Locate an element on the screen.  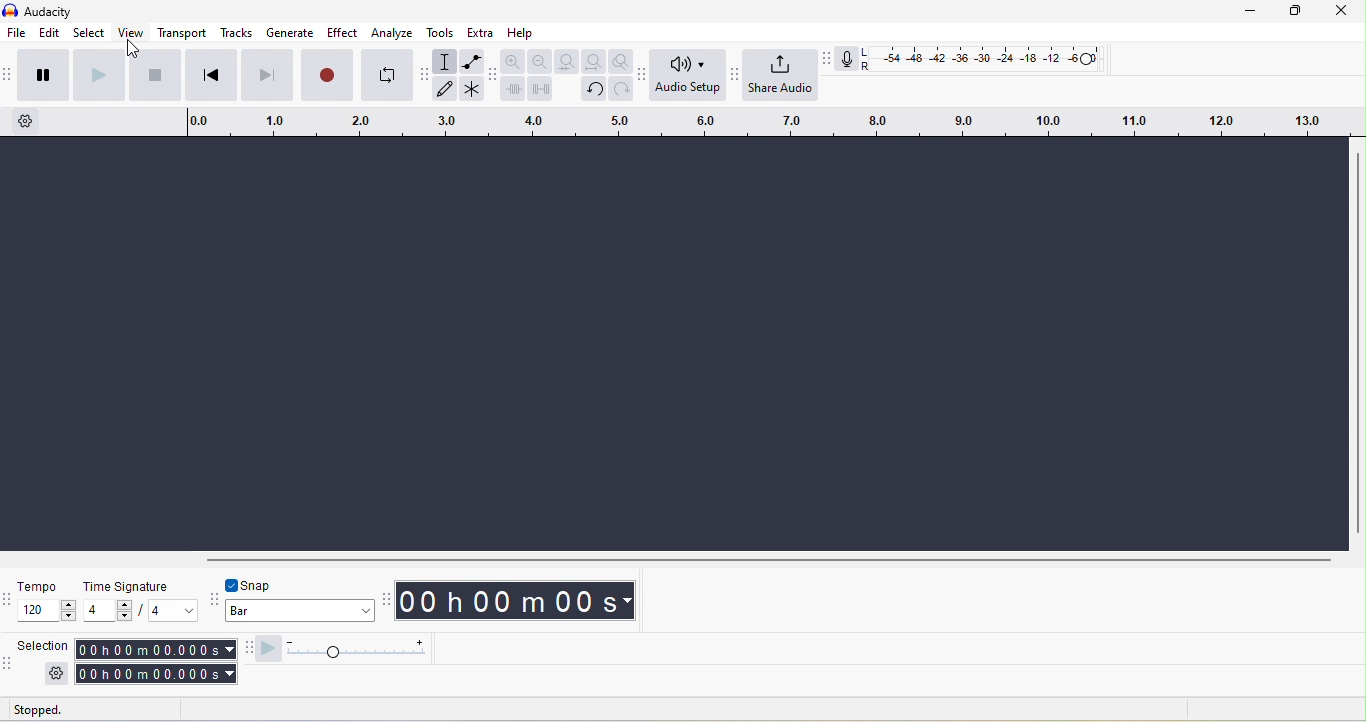
fit selection to width is located at coordinates (567, 61).